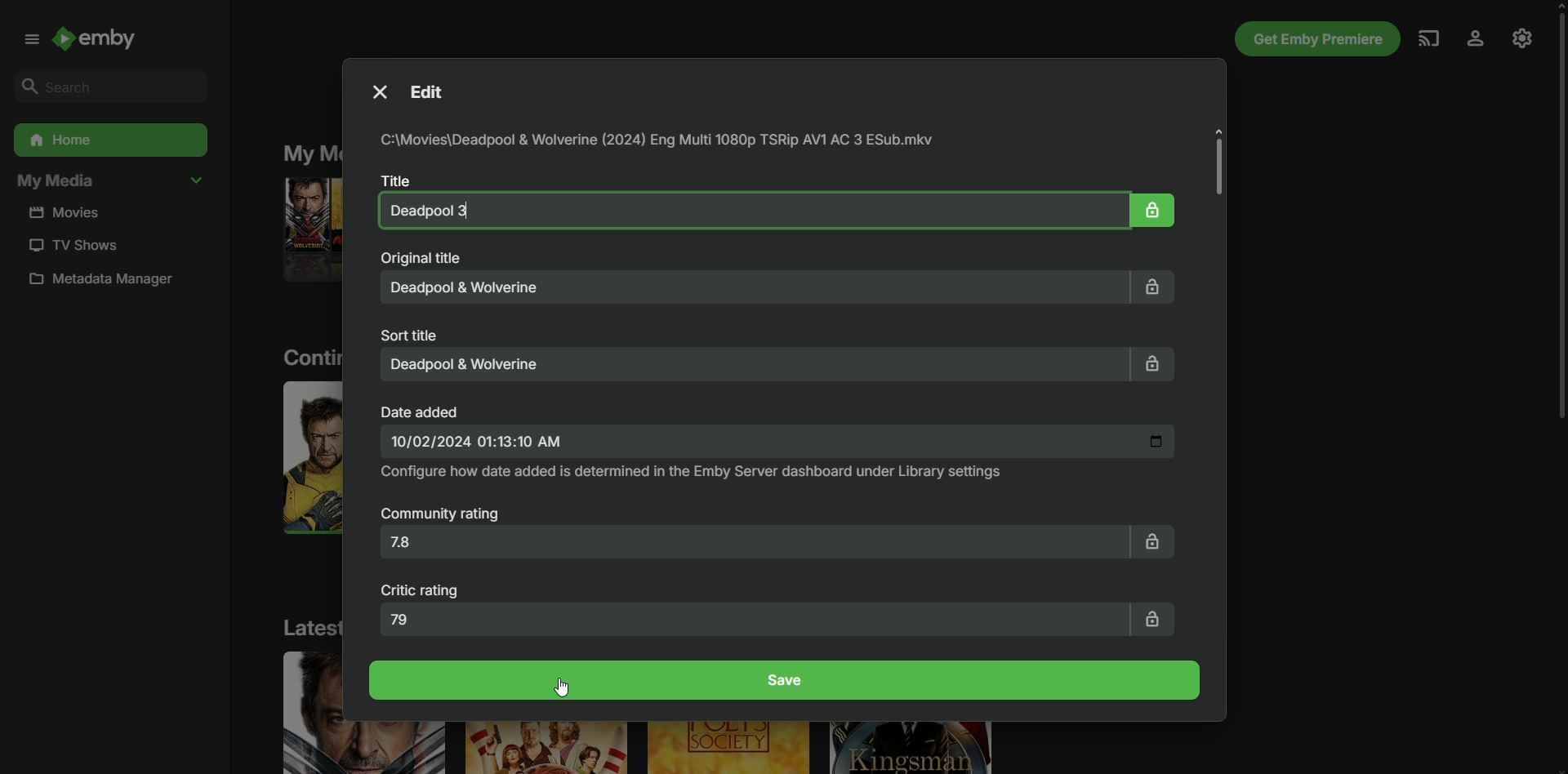 Image resolution: width=1568 pixels, height=774 pixels. Describe the element at coordinates (110, 182) in the screenshot. I see `My Media` at that location.